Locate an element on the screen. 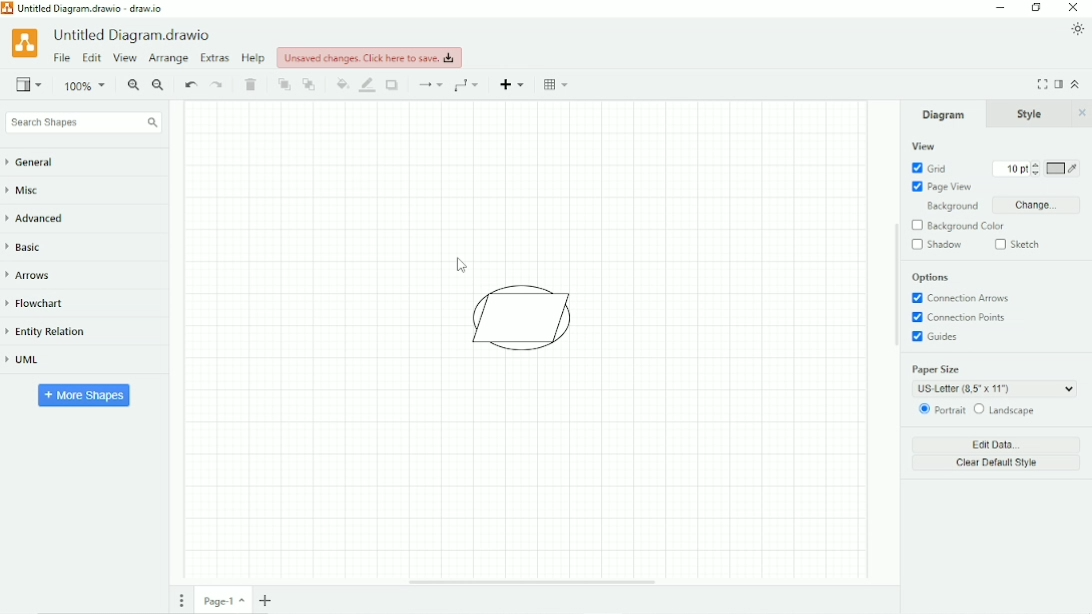 This screenshot has width=1092, height=614. Extras is located at coordinates (215, 57).